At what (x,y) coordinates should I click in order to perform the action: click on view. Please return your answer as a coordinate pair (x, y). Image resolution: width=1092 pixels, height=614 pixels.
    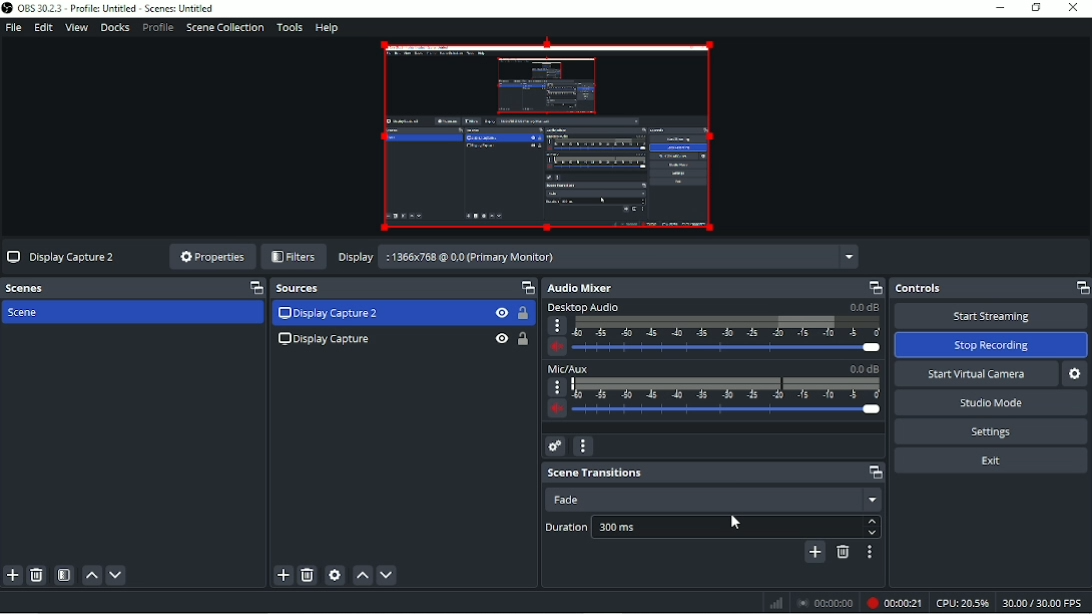
    Looking at the image, I should click on (499, 339).